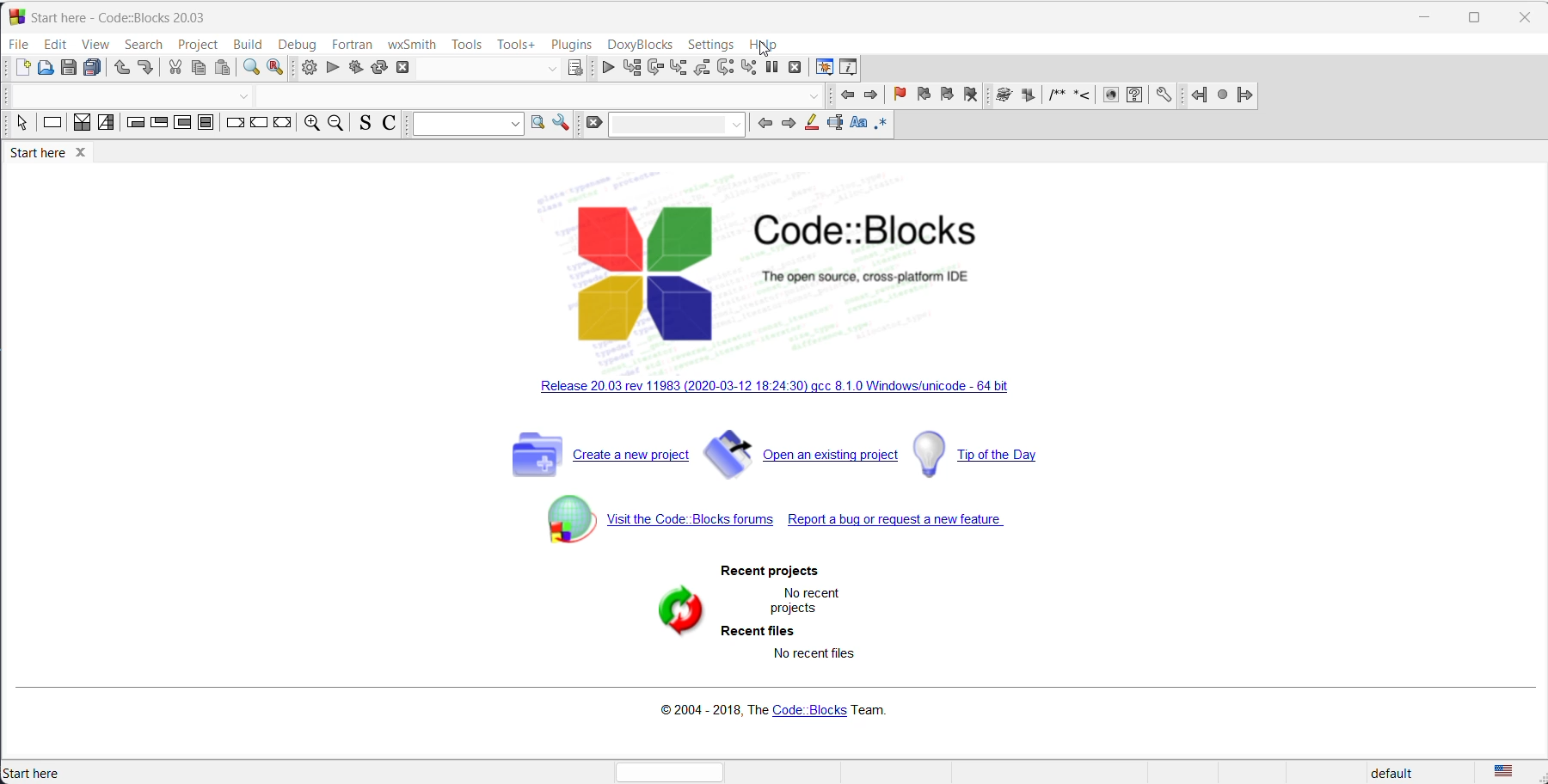 The height and width of the screenshot is (784, 1548). Describe the element at coordinates (286, 126) in the screenshot. I see `return instruction` at that location.